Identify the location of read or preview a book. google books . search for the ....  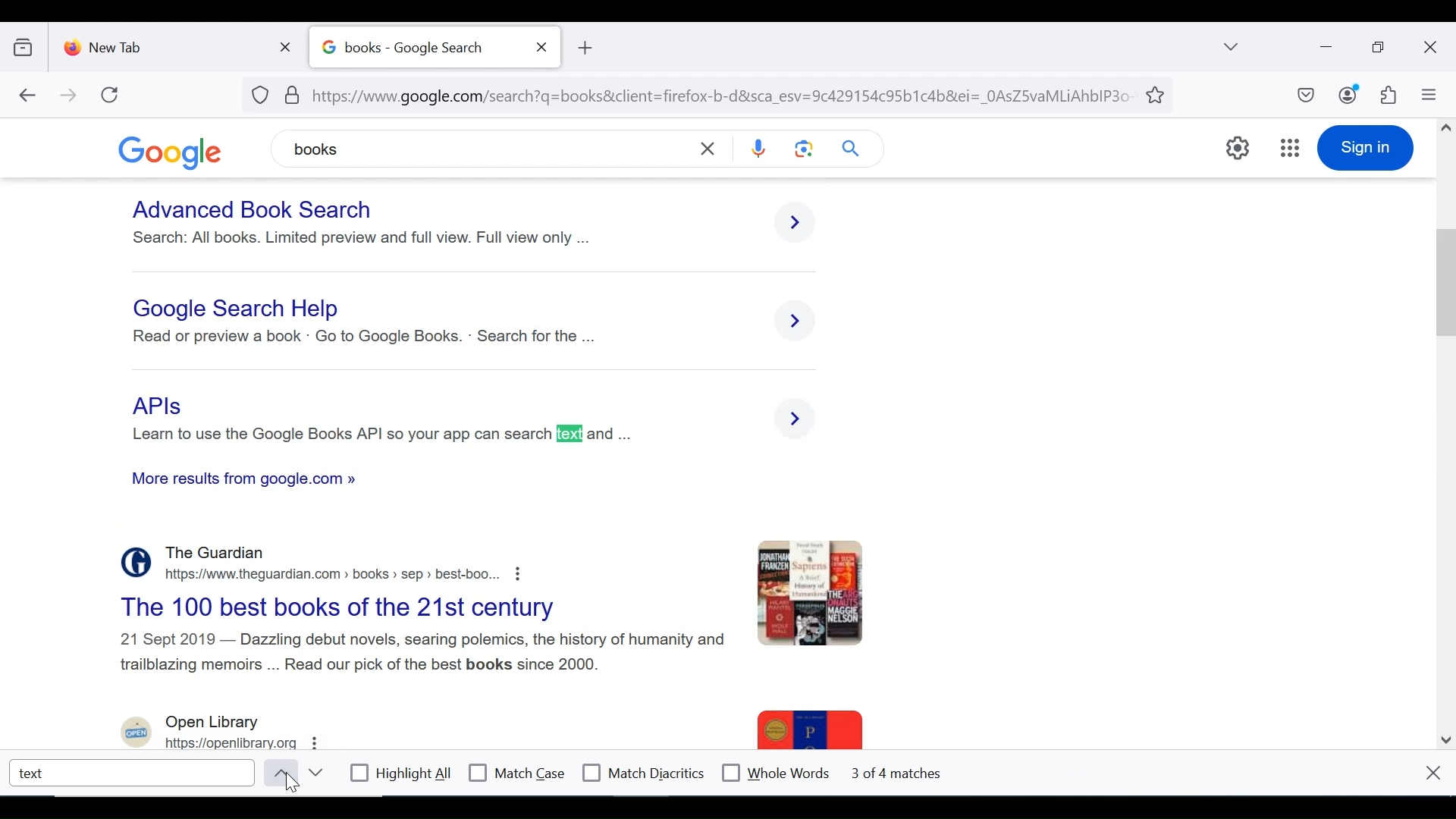
(370, 339).